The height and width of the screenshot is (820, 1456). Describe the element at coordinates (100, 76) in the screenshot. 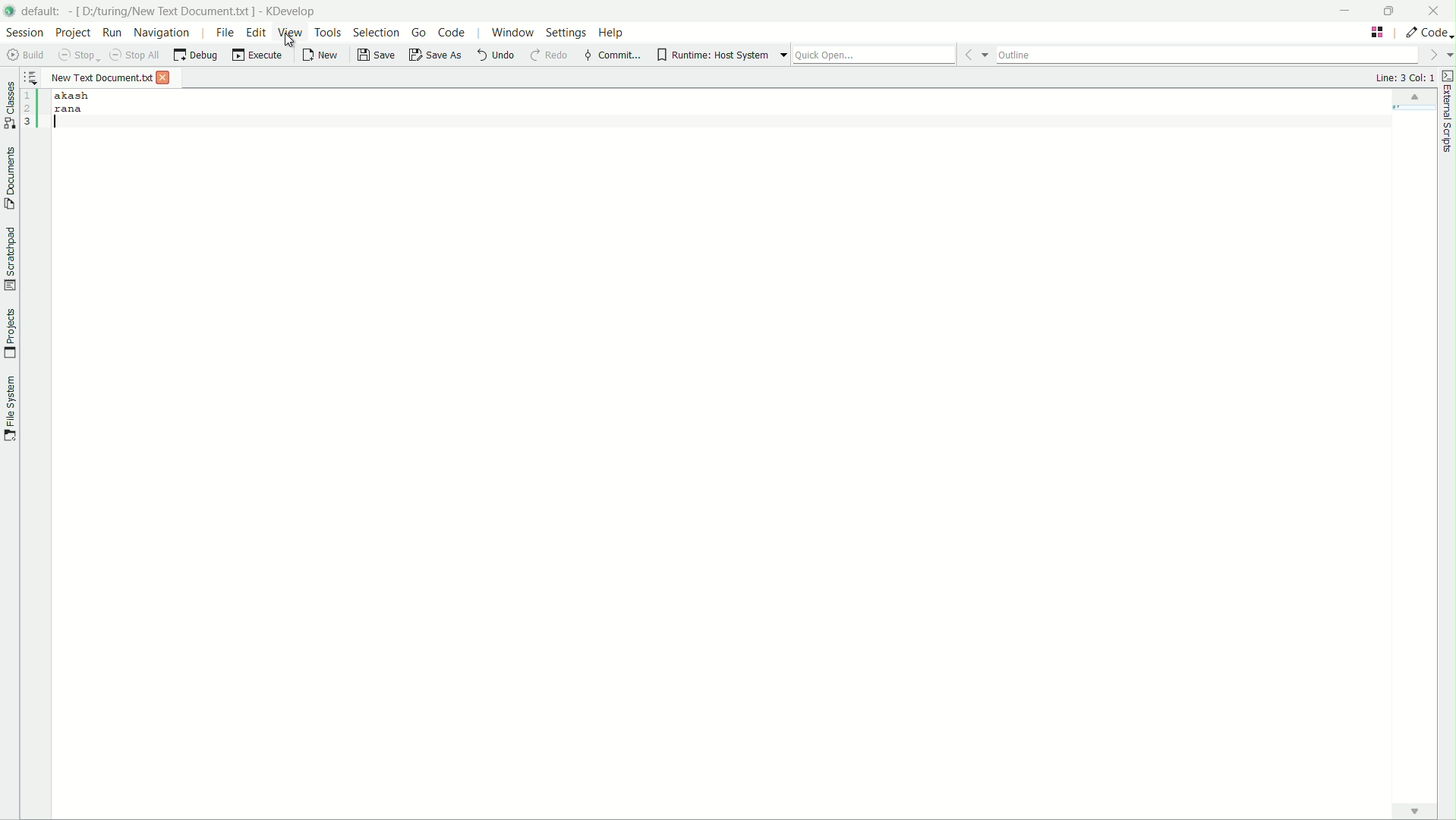

I see `new text document` at that location.